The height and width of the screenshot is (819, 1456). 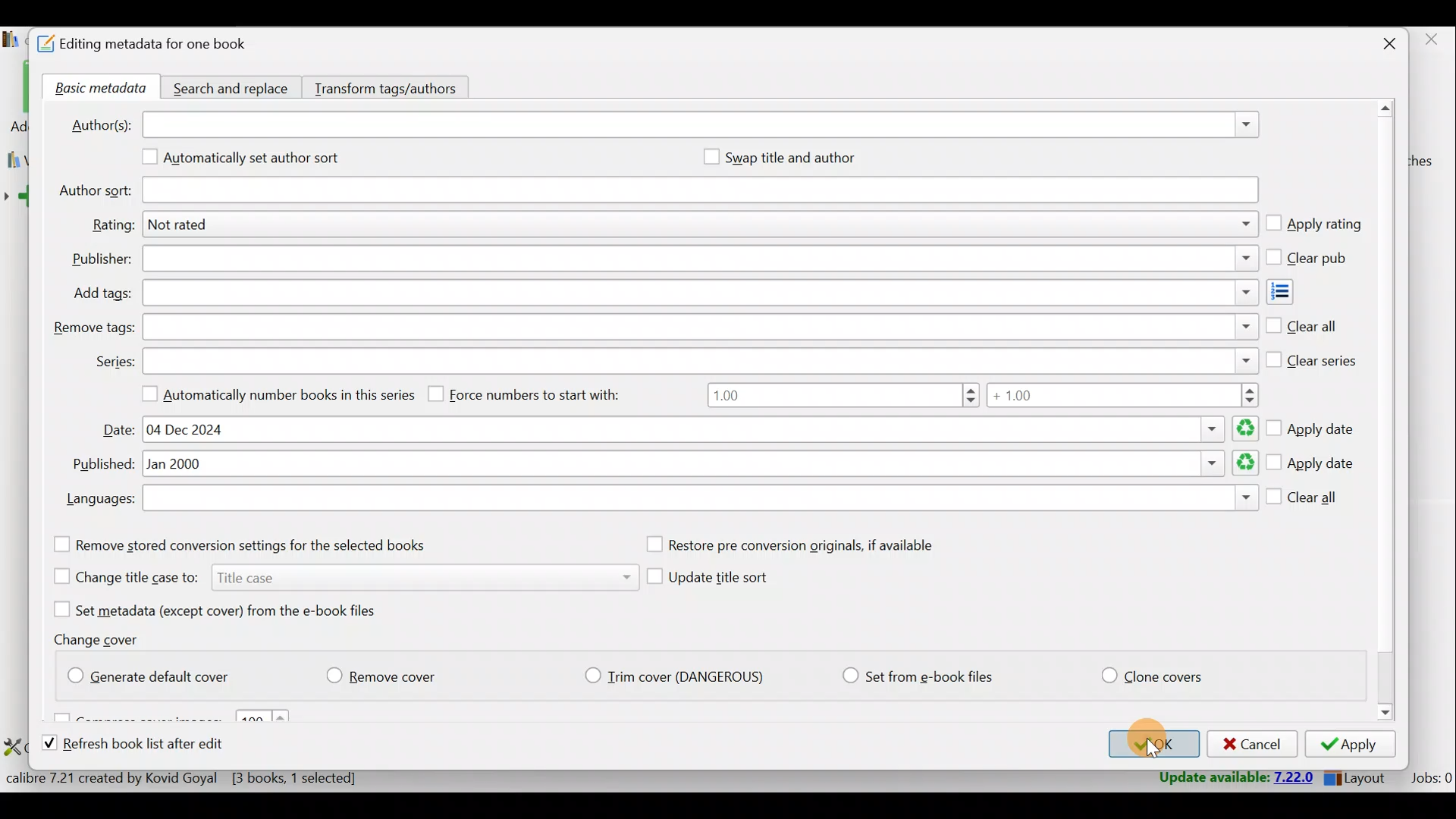 What do you see at coordinates (96, 89) in the screenshot?
I see `Basic metadata` at bounding box center [96, 89].